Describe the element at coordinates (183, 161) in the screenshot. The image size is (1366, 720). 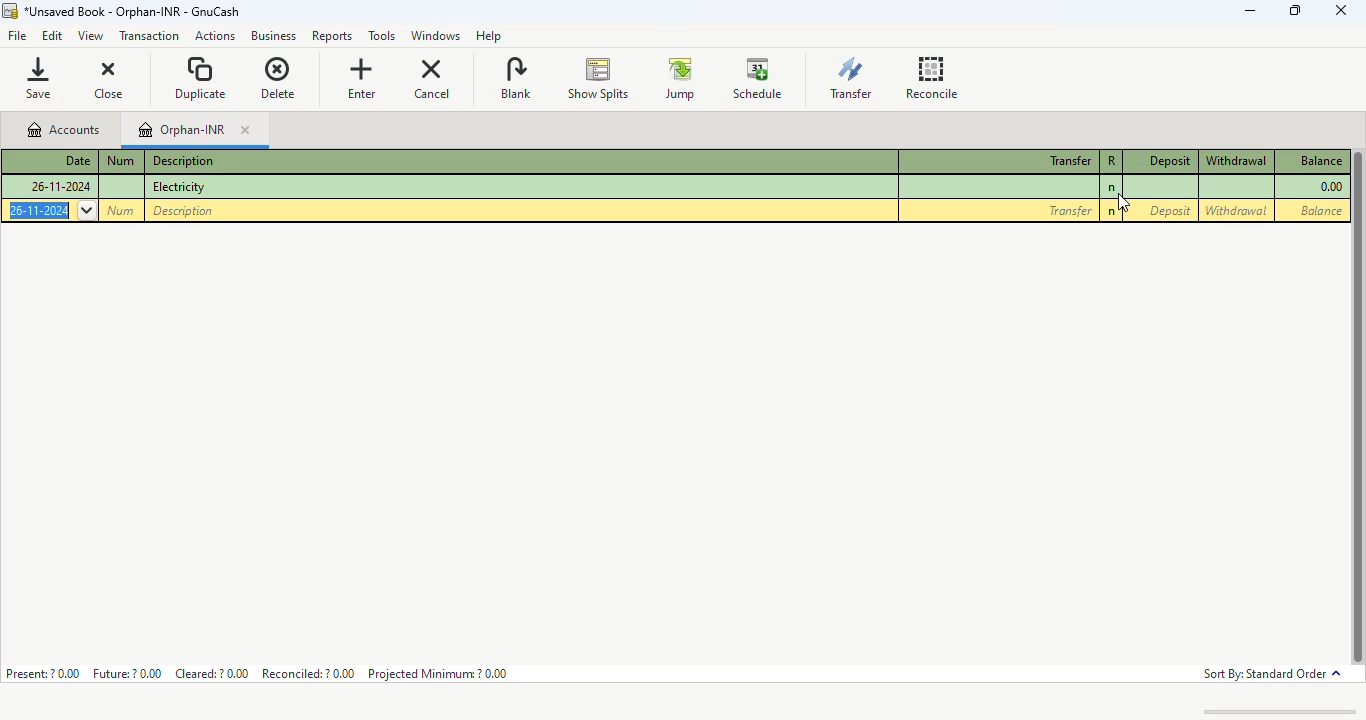
I see `description` at that location.